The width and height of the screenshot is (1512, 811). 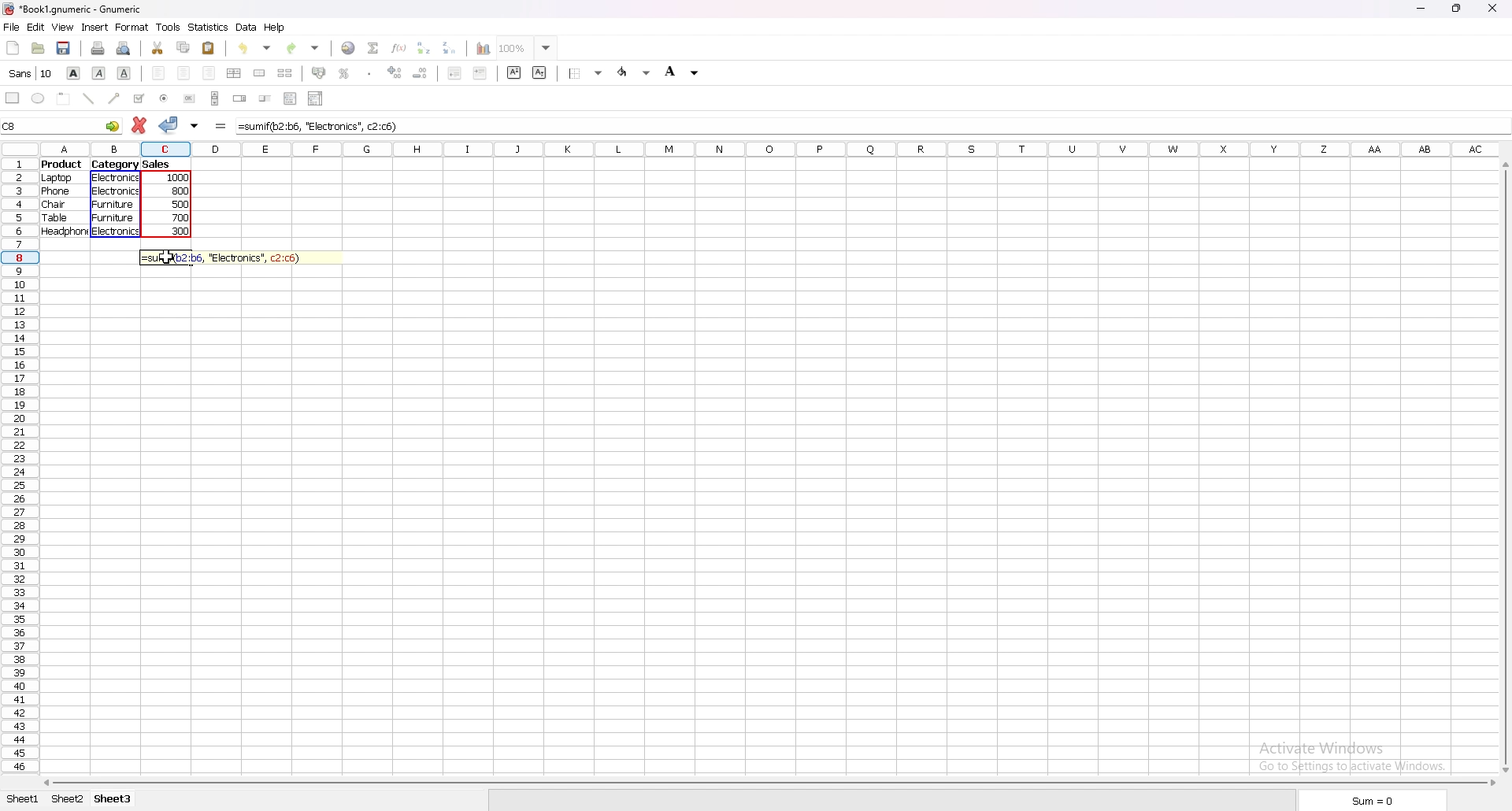 What do you see at coordinates (454, 73) in the screenshot?
I see `decrease indent` at bounding box center [454, 73].